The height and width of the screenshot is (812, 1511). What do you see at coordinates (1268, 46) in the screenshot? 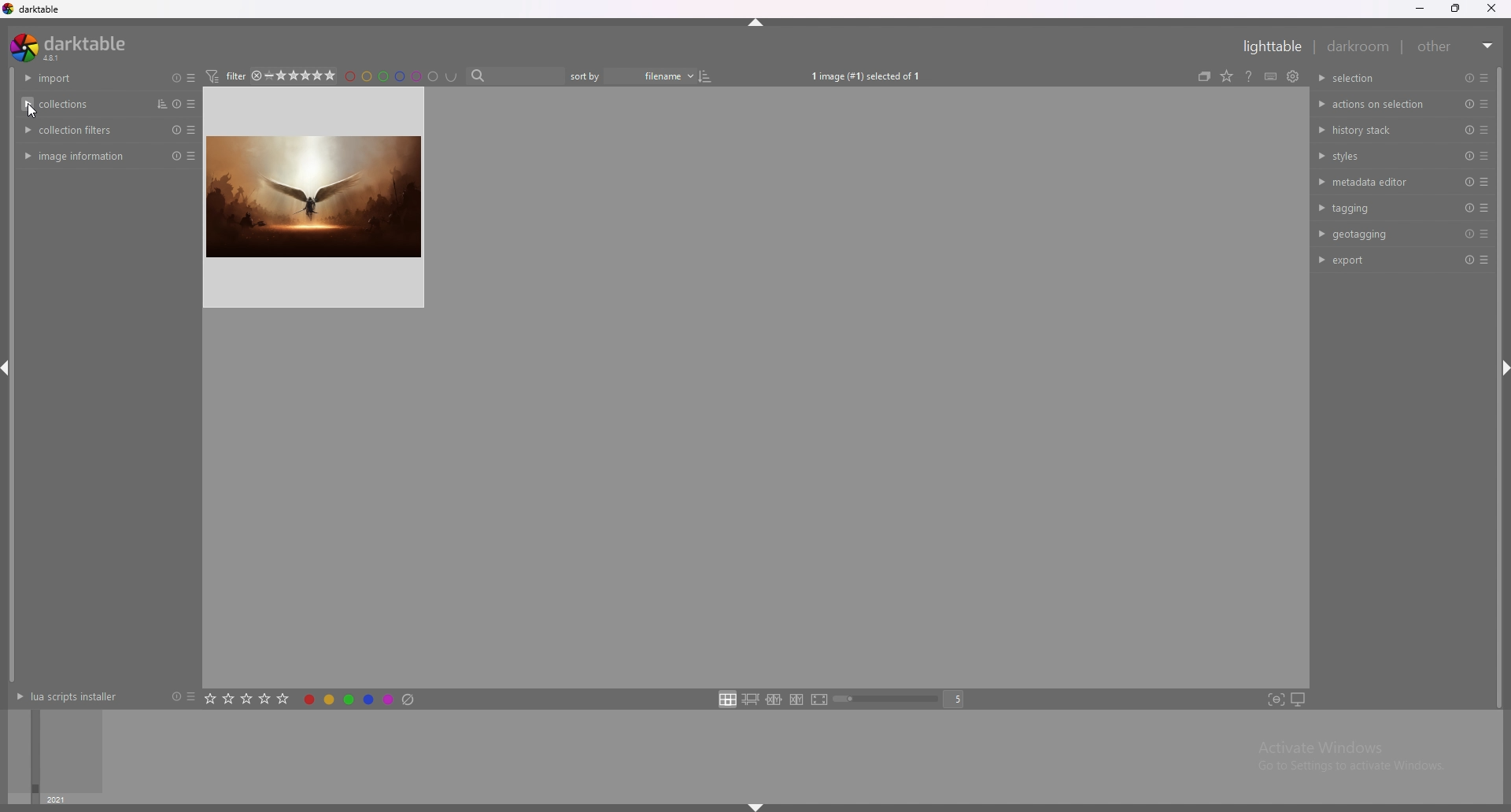
I see `lighttable` at bounding box center [1268, 46].